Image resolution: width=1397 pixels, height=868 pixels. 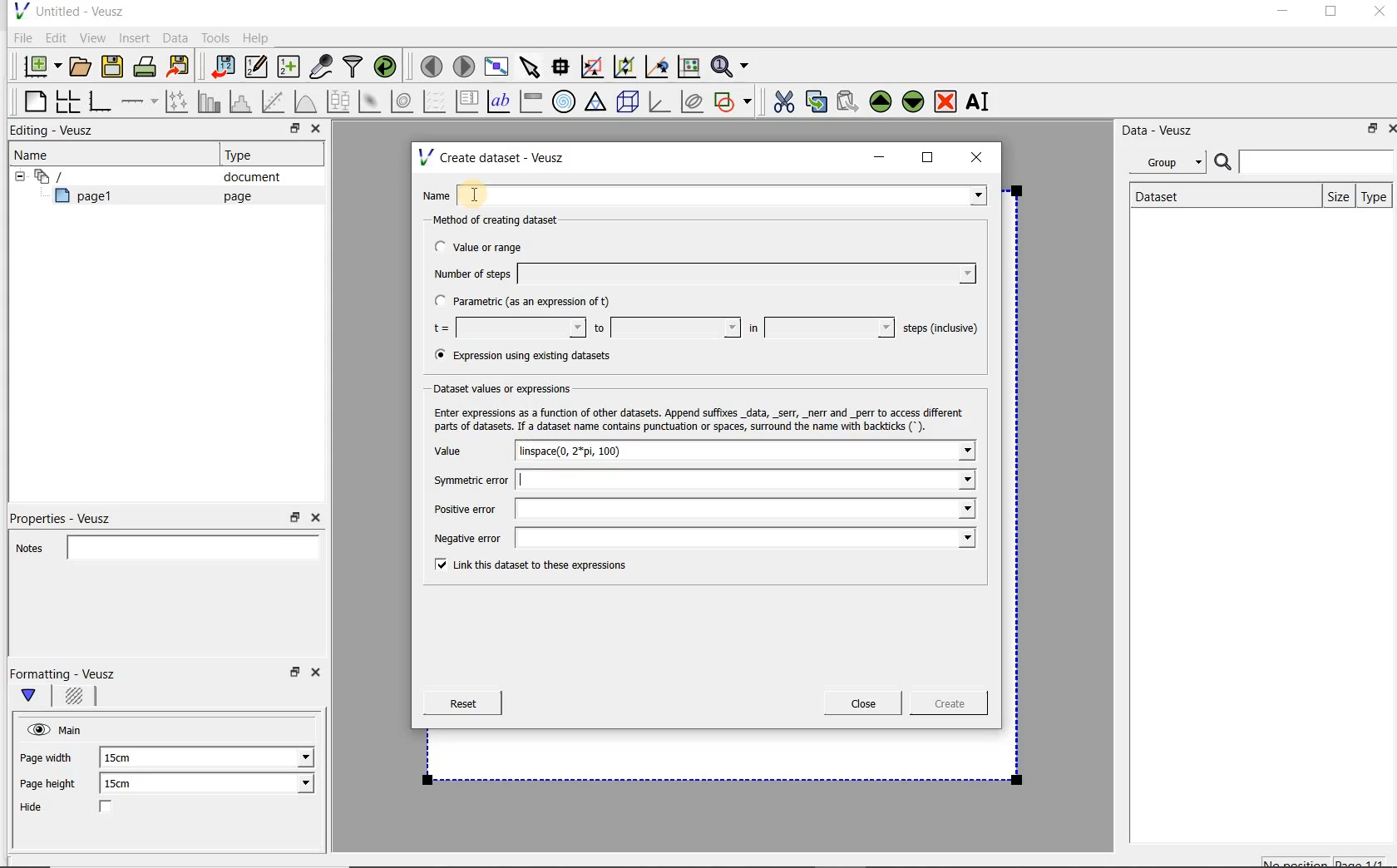 I want to click on Create dataset - Veusz, so click(x=494, y=157).